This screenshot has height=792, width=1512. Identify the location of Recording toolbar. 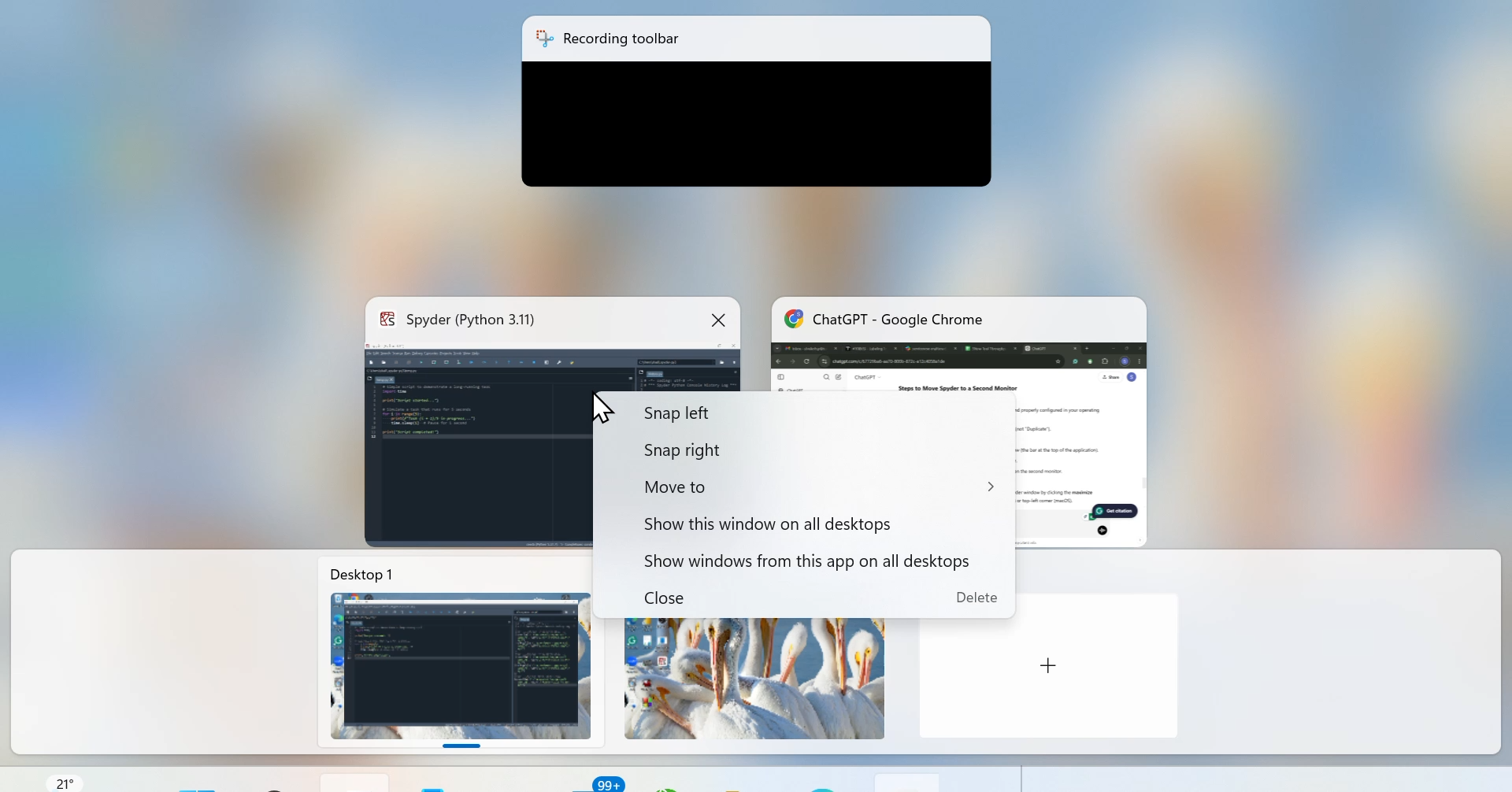
(757, 39).